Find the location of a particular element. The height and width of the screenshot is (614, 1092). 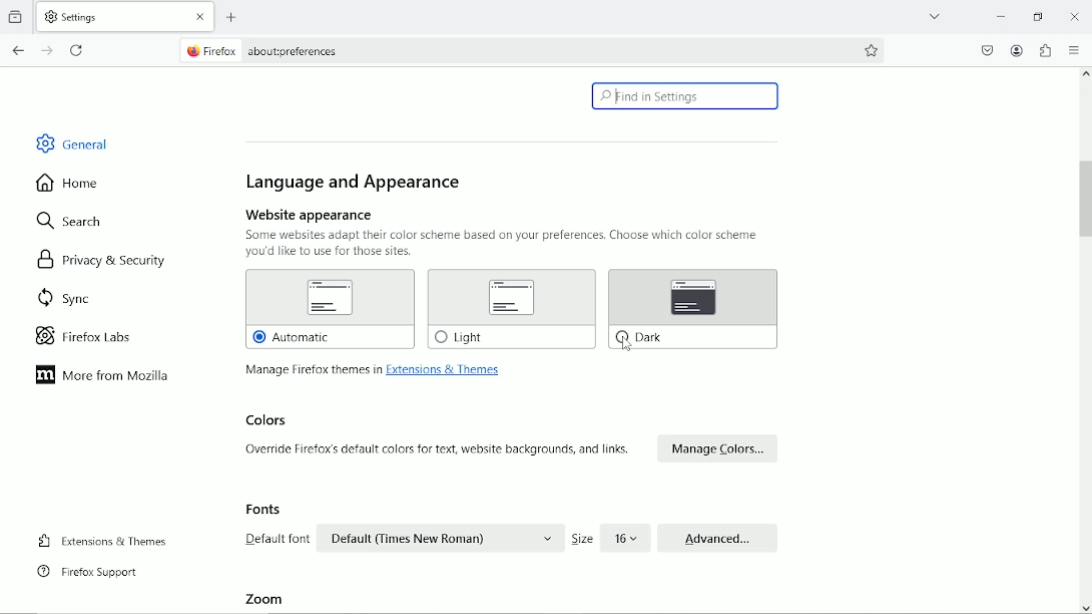

extensions and themes is located at coordinates (103, 541).